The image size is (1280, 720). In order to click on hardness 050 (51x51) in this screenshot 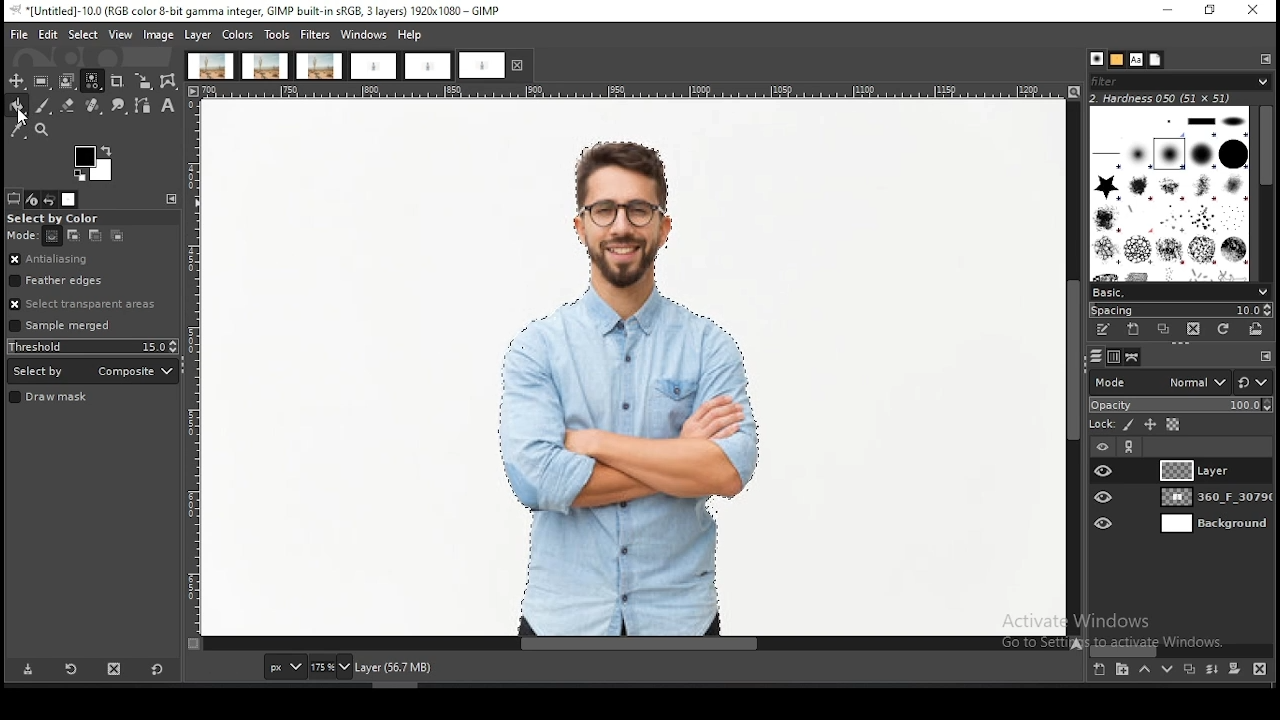, I will do `click(1161, 98)`.